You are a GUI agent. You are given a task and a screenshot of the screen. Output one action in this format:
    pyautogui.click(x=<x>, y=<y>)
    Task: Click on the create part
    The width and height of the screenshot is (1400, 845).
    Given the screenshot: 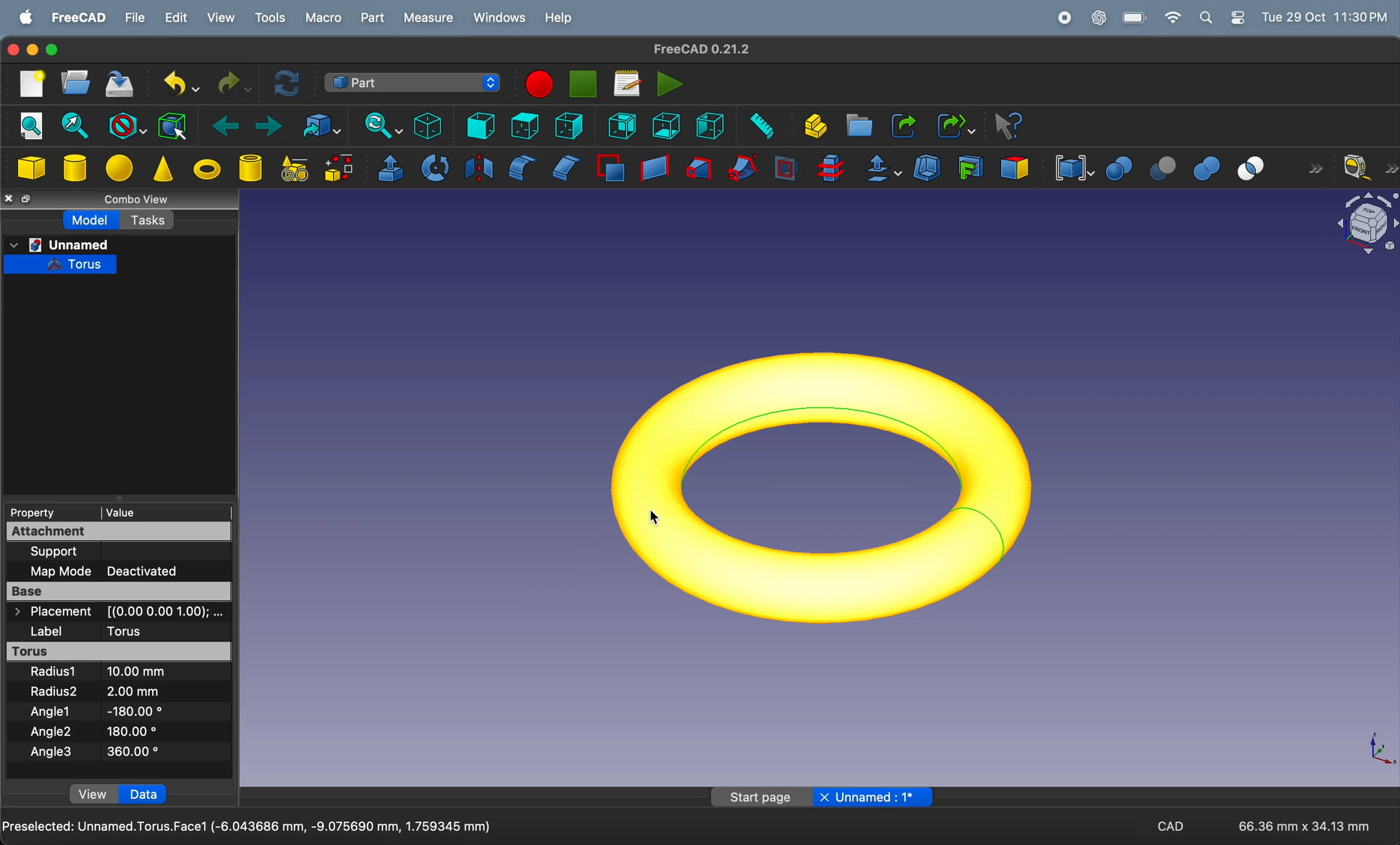 What is the action you would take?
    pyautogui.click(x=811, y=126)
    